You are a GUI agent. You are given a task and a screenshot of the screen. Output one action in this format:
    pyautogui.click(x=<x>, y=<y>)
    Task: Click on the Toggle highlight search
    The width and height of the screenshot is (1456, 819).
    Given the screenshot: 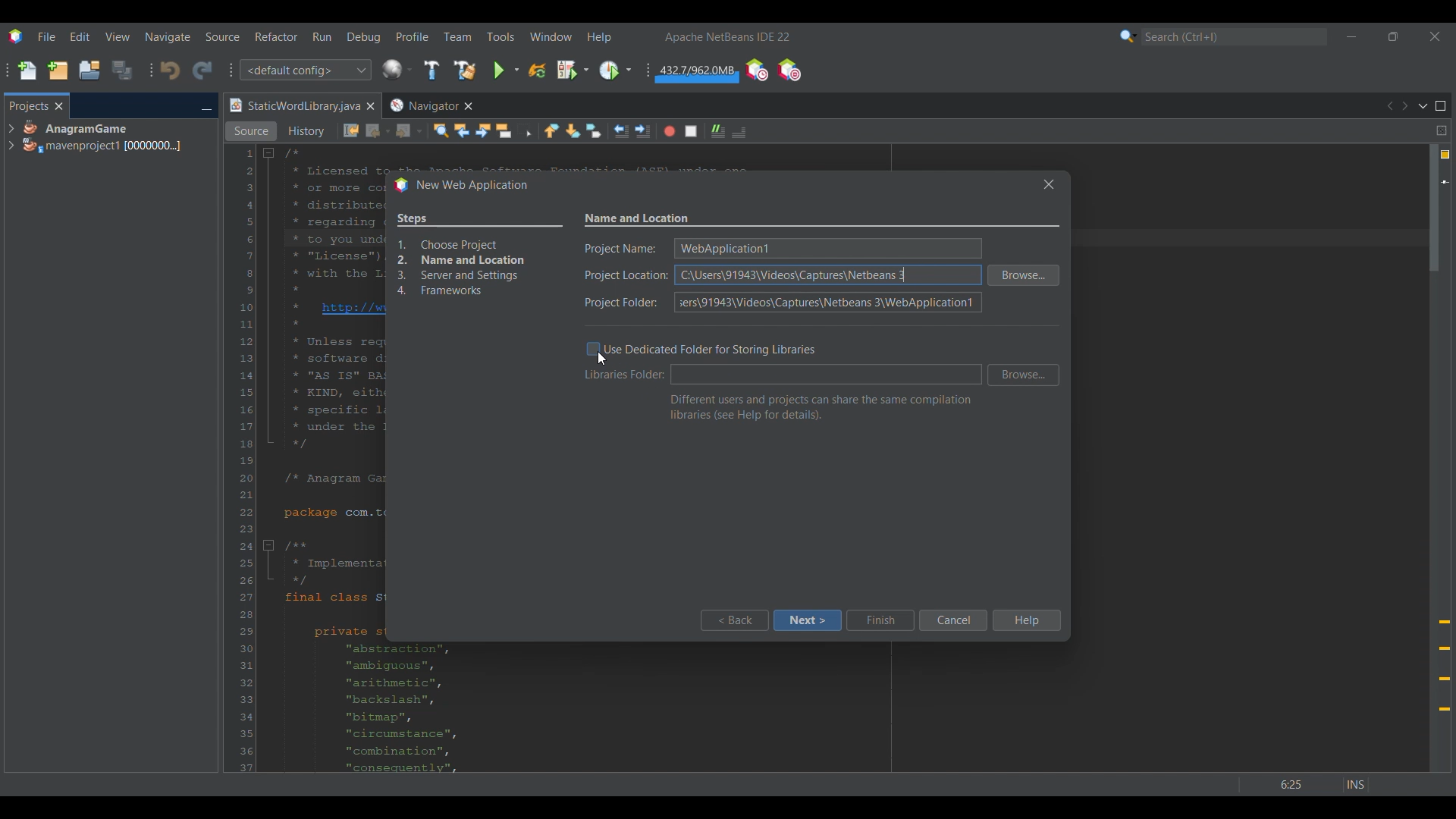 What is the action you would take?
    pyautogui.click(x=504, y=130)
    